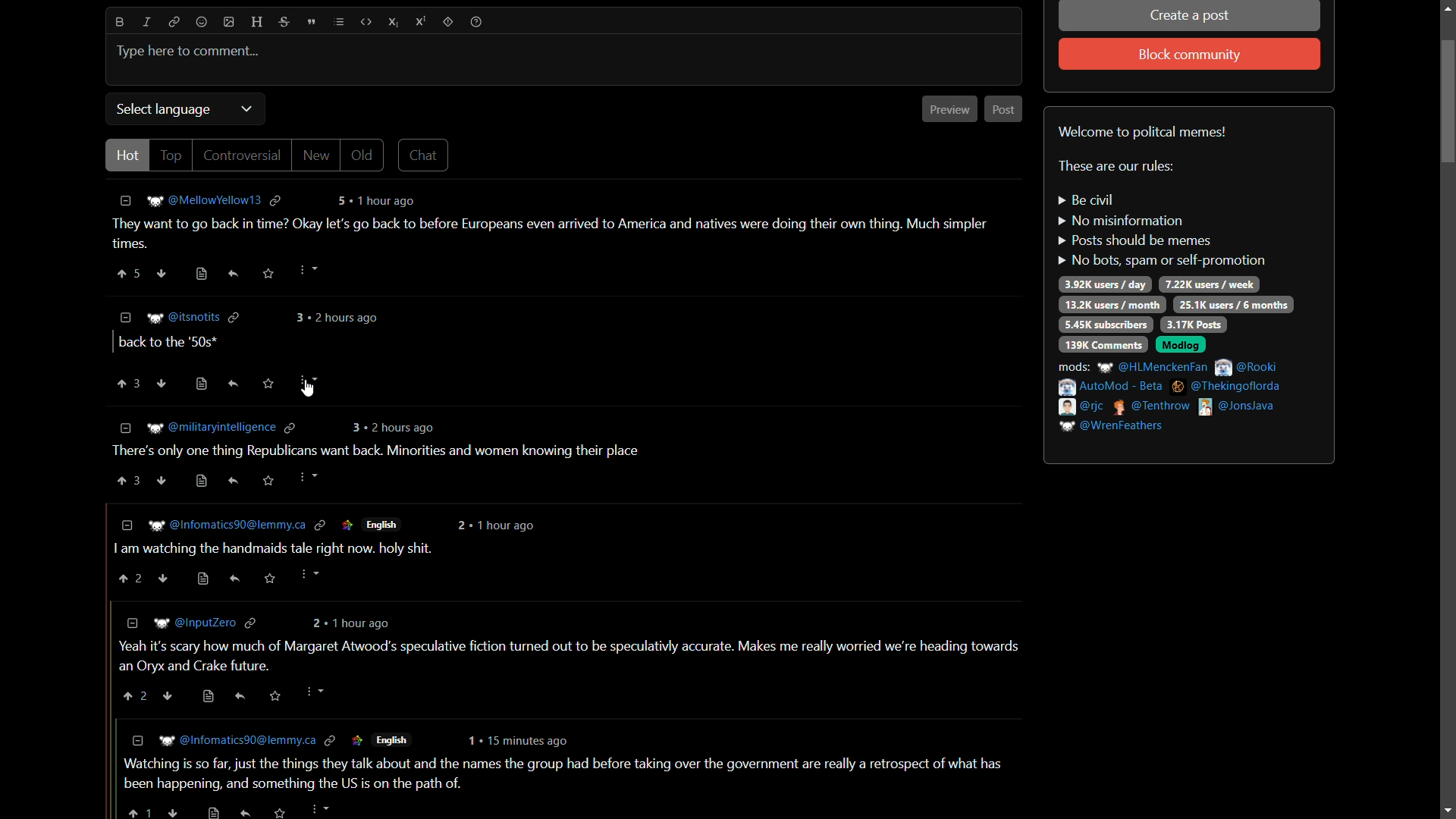 This screenshot has height=819, width=1456. What do you see at coordinates (311, 21) in the screenshot?
I see `quote` at bounding box center [311, 21].